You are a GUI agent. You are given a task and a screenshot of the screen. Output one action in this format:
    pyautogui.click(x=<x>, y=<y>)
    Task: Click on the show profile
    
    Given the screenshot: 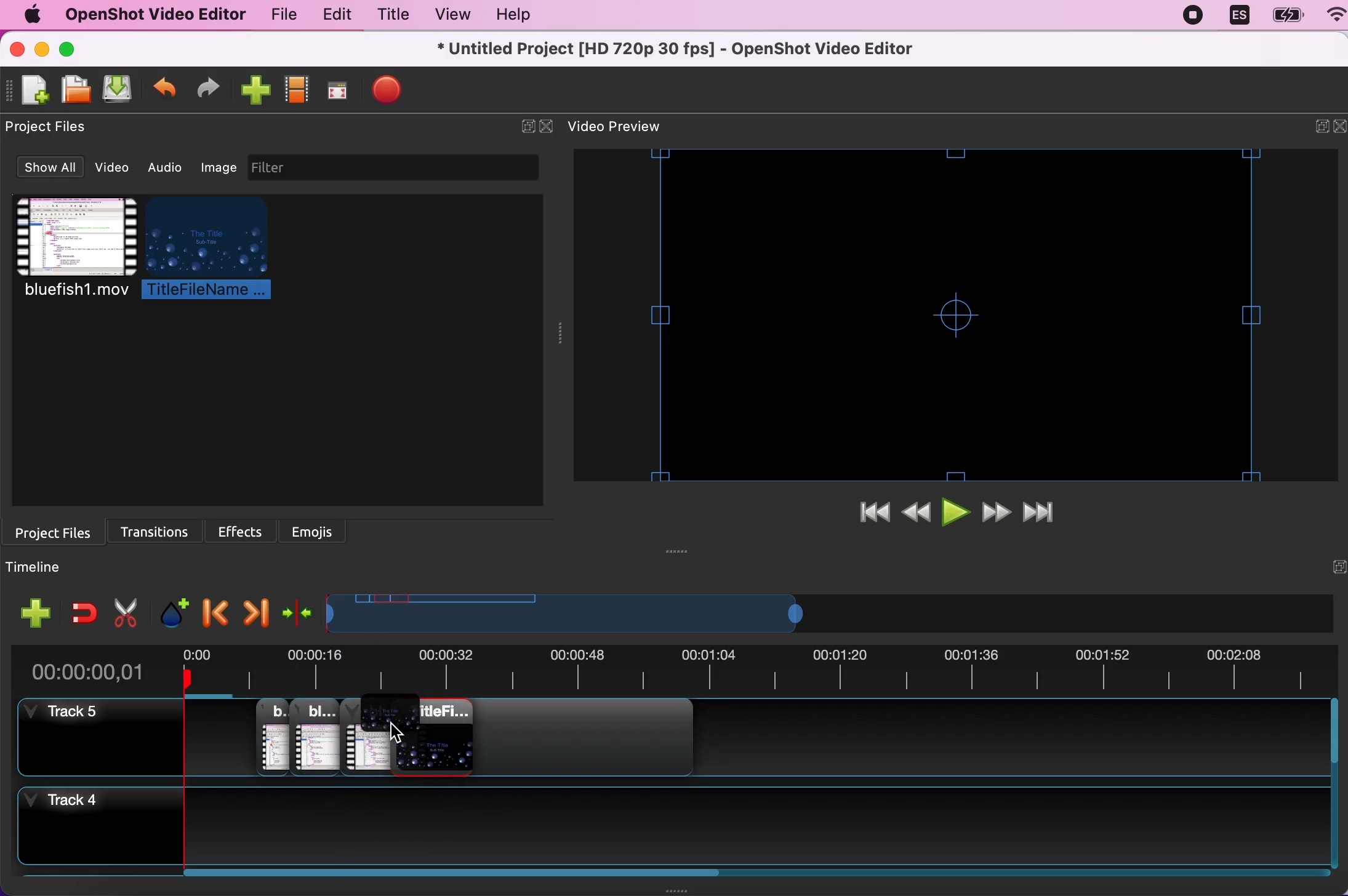 What is the action you would take?
    pyautogui.click(x=295, y=94)
    